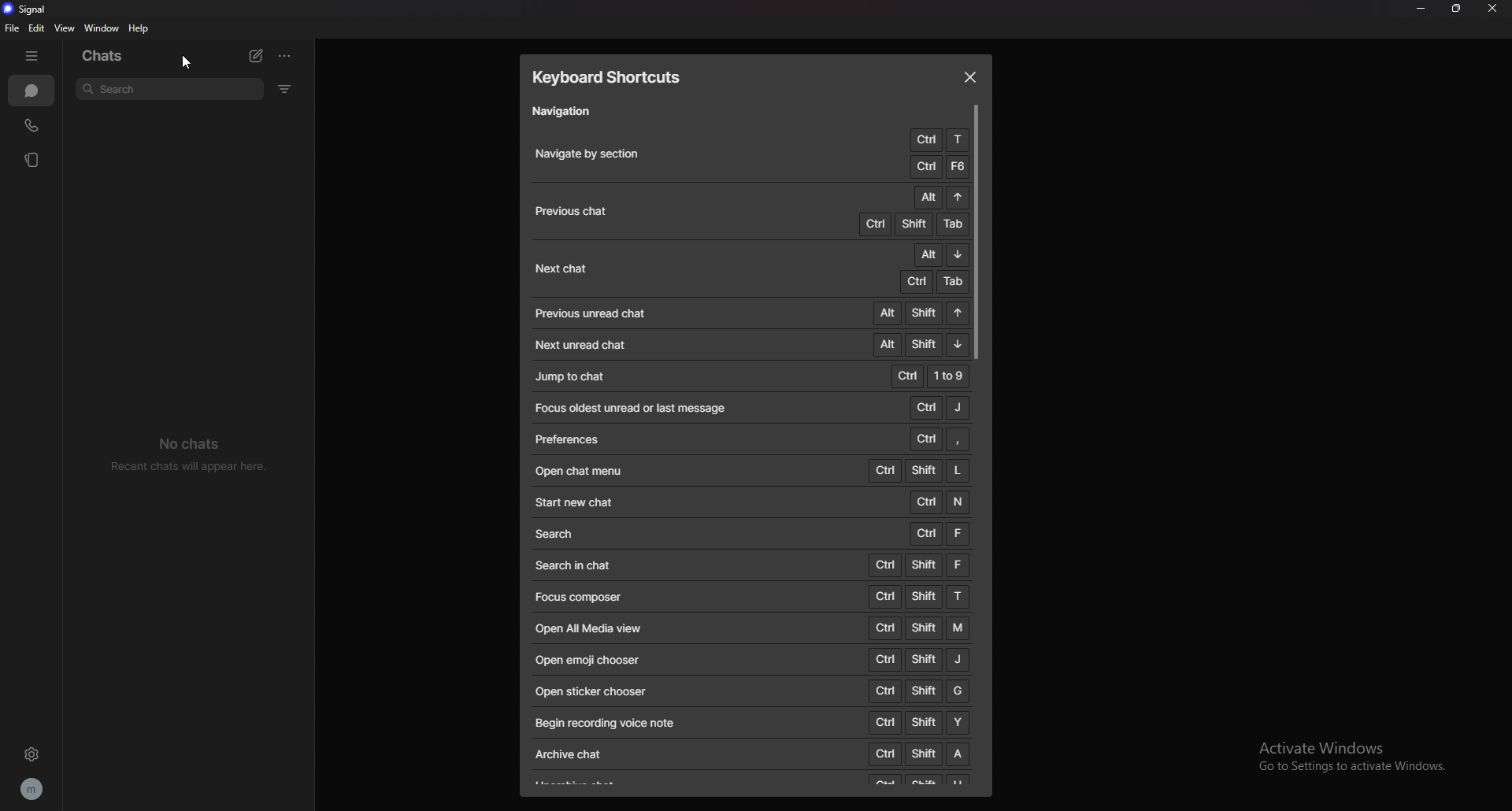 This screenshot has width=1512, height=811. I want to click on focus composer, so click(580, 597).